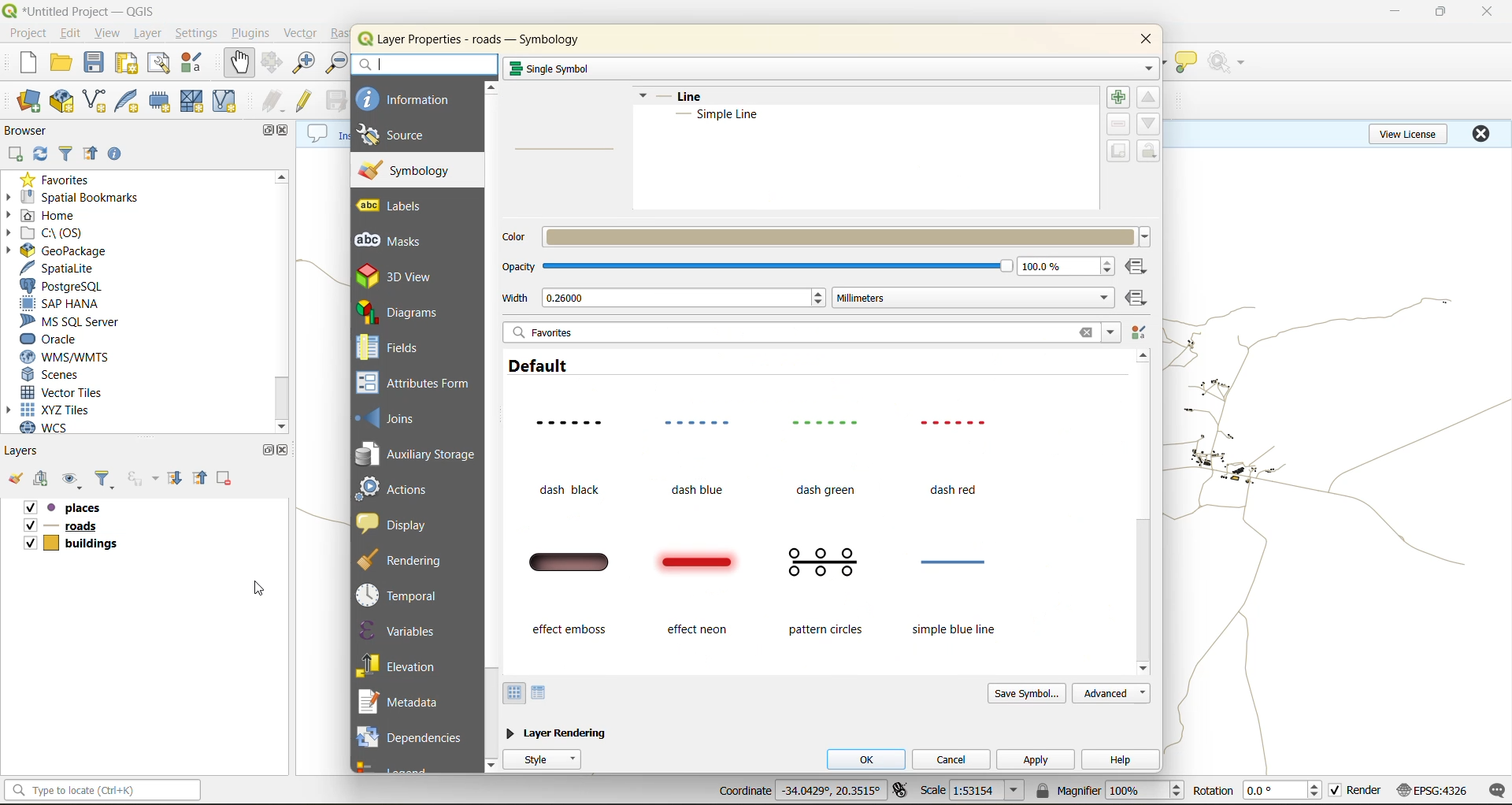  What do you see at coordinates (140, 478) in the screenshot?
I see `filter by expression` at bounding box center [140, 478].